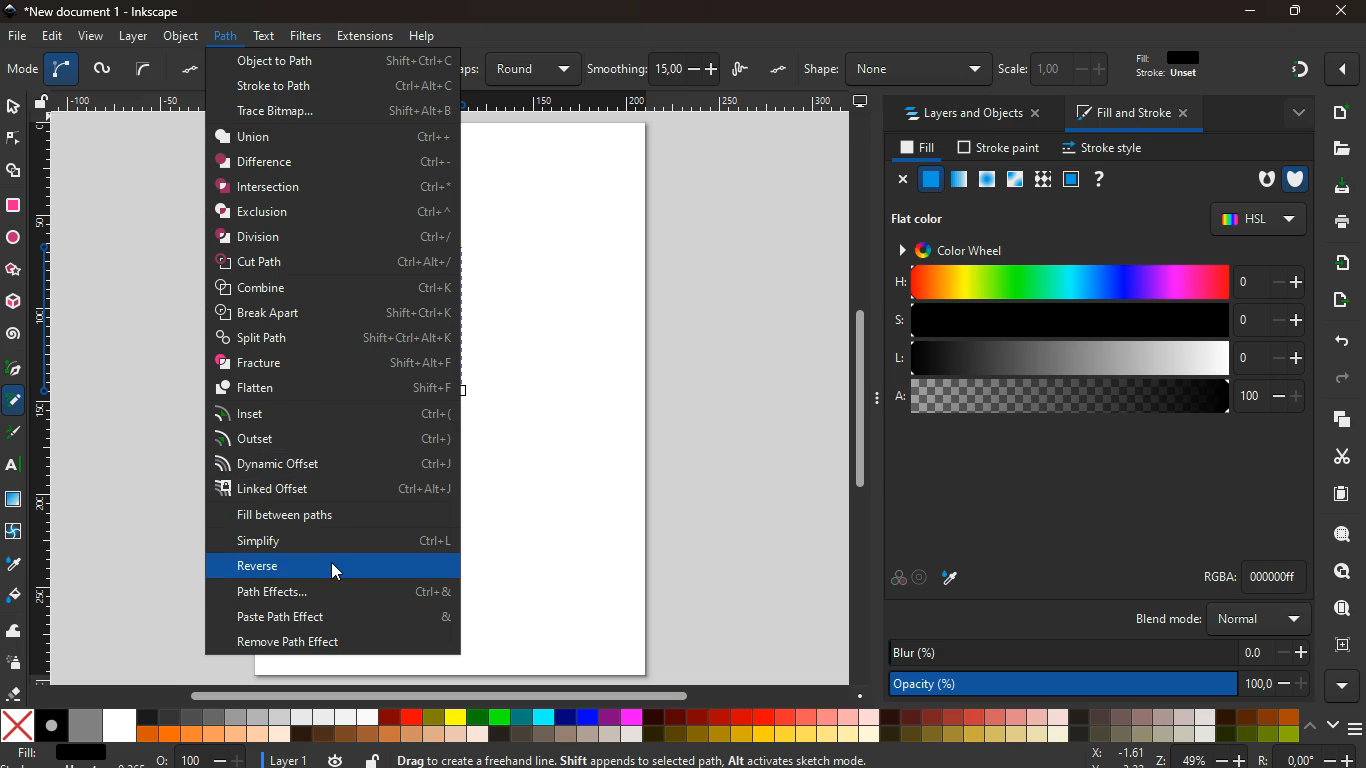 Image resolution: width=1366 pixels, height=768 pixels. Describe the element at coordinates (41, 399) in the screenshot. I see `Scale` at that location.